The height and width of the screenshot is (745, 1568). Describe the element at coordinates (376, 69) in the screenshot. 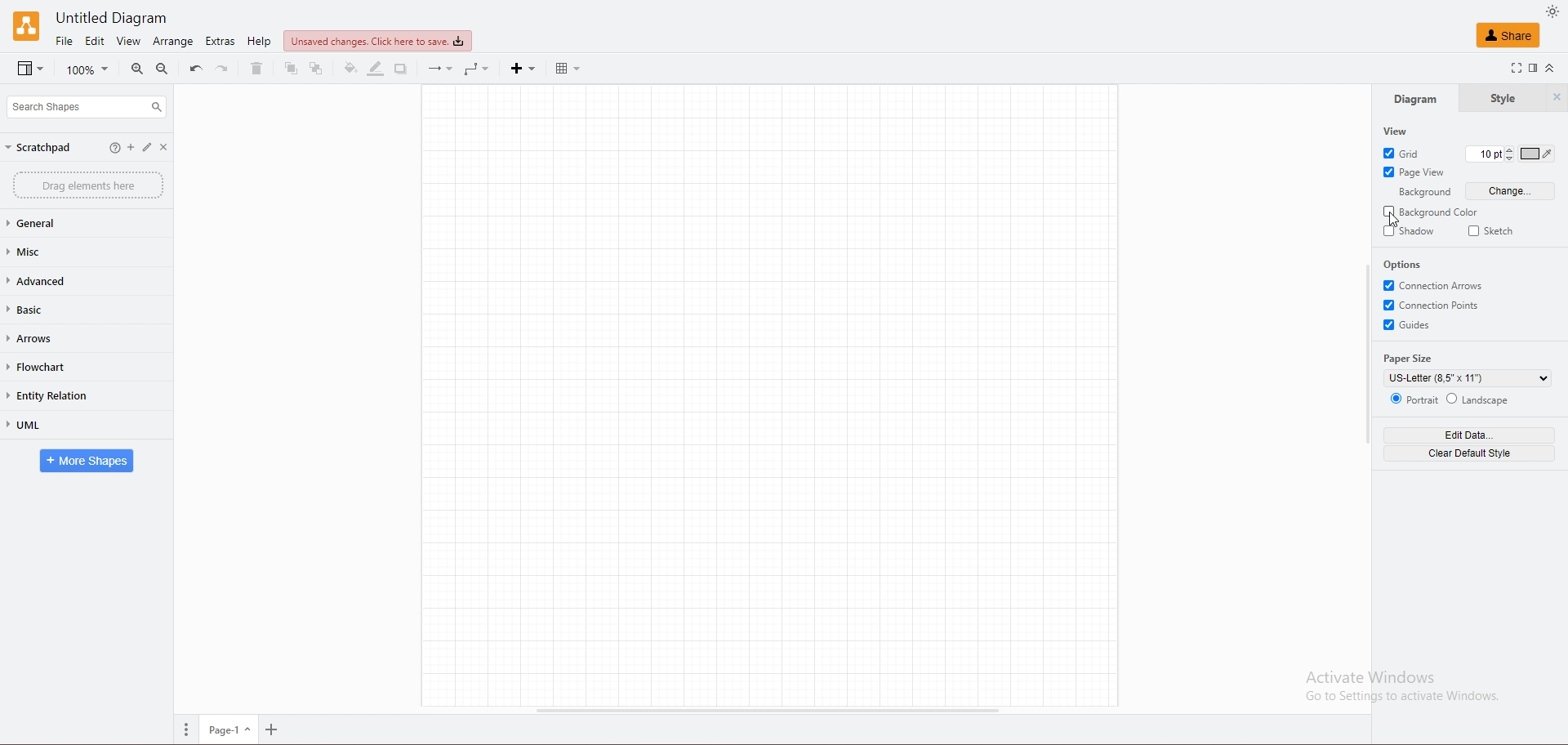

I see `line color` at that location.